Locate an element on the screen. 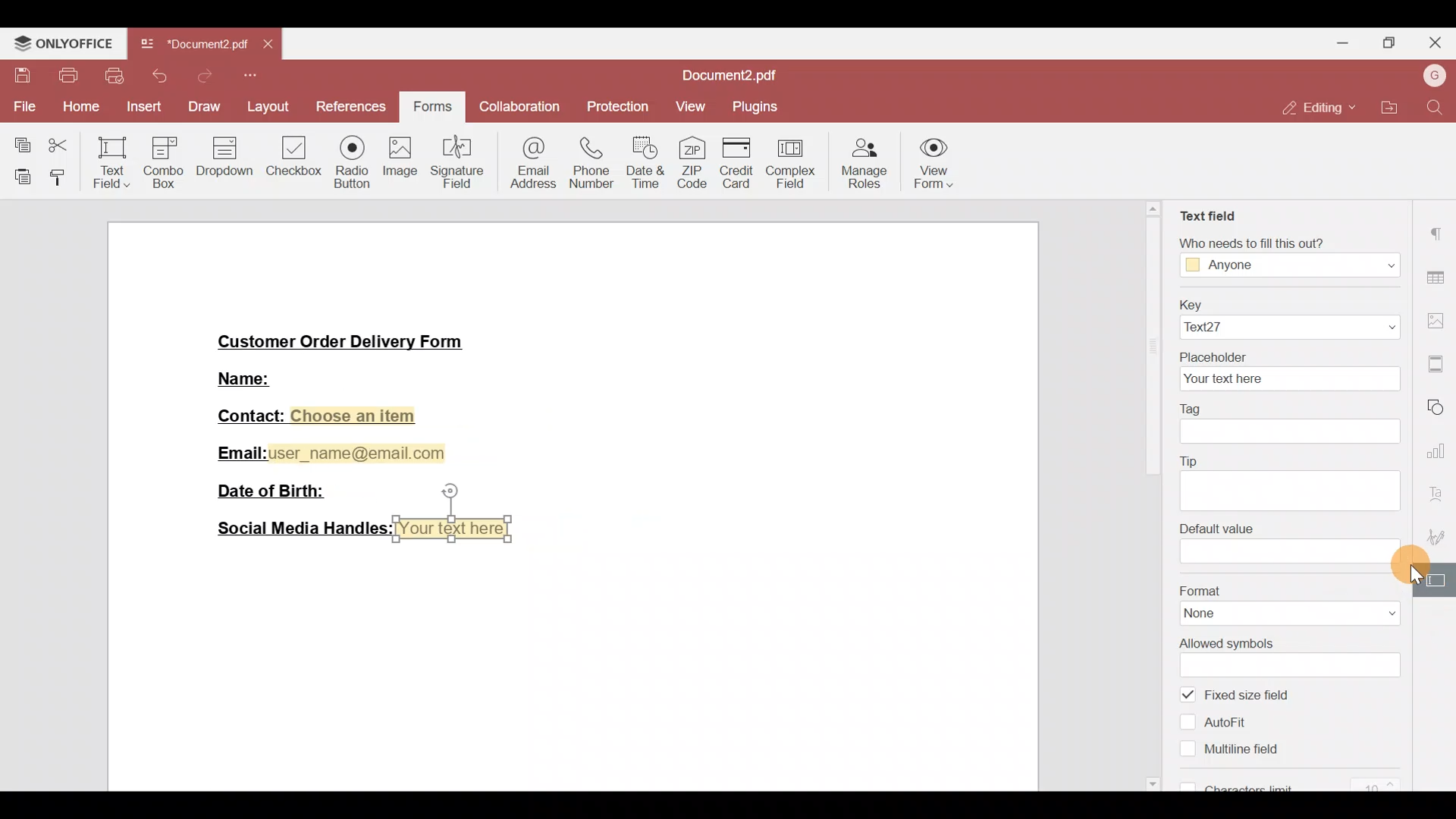 The height and width of the screenshot is (819, 1456). Contact: Choose an item is located at coordinates (315, 416).